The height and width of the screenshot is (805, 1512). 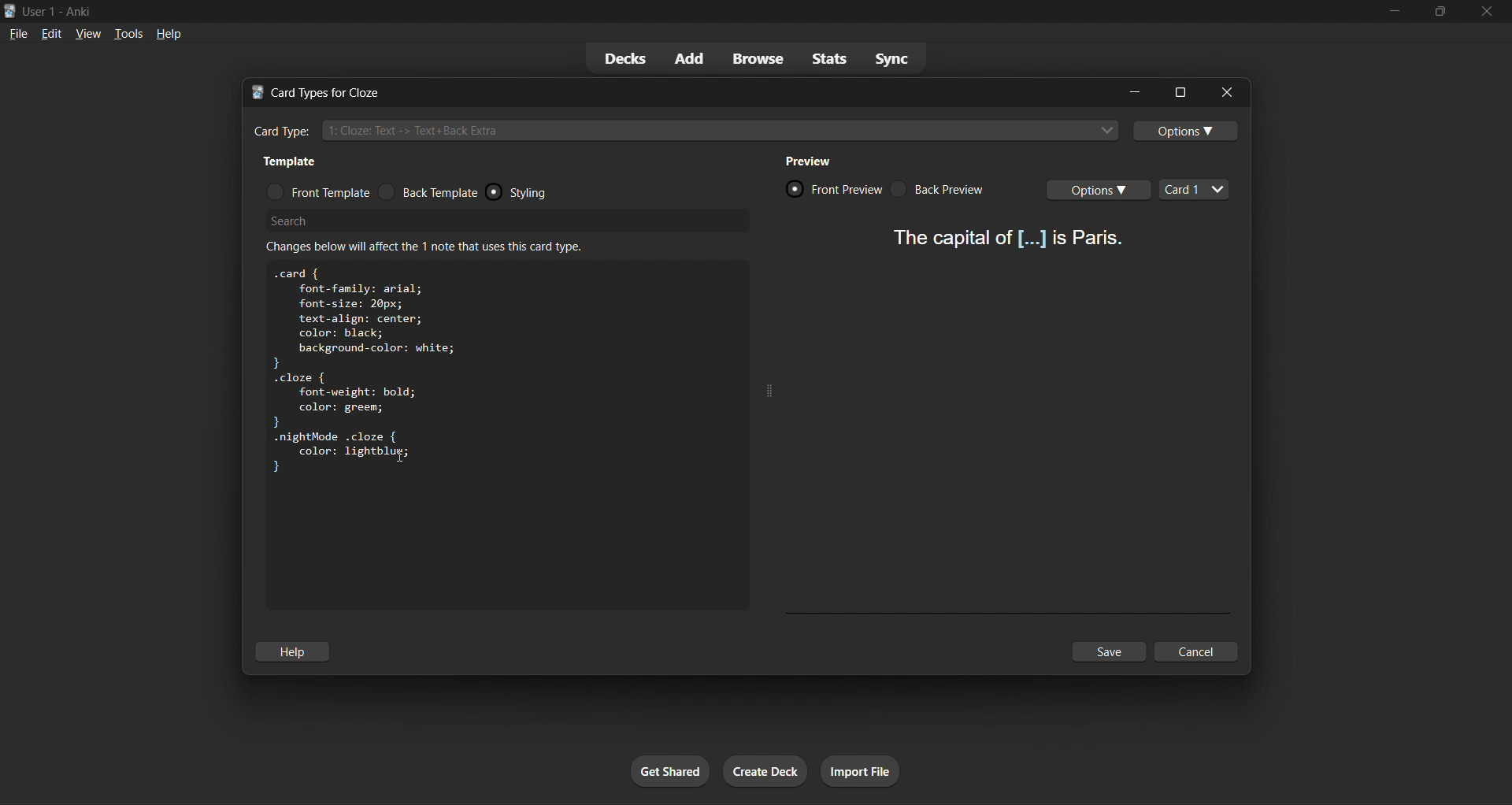 What do you see at coordinates (89, 32) in the screenshot?
I see `view` at bounding box center [89, 32].